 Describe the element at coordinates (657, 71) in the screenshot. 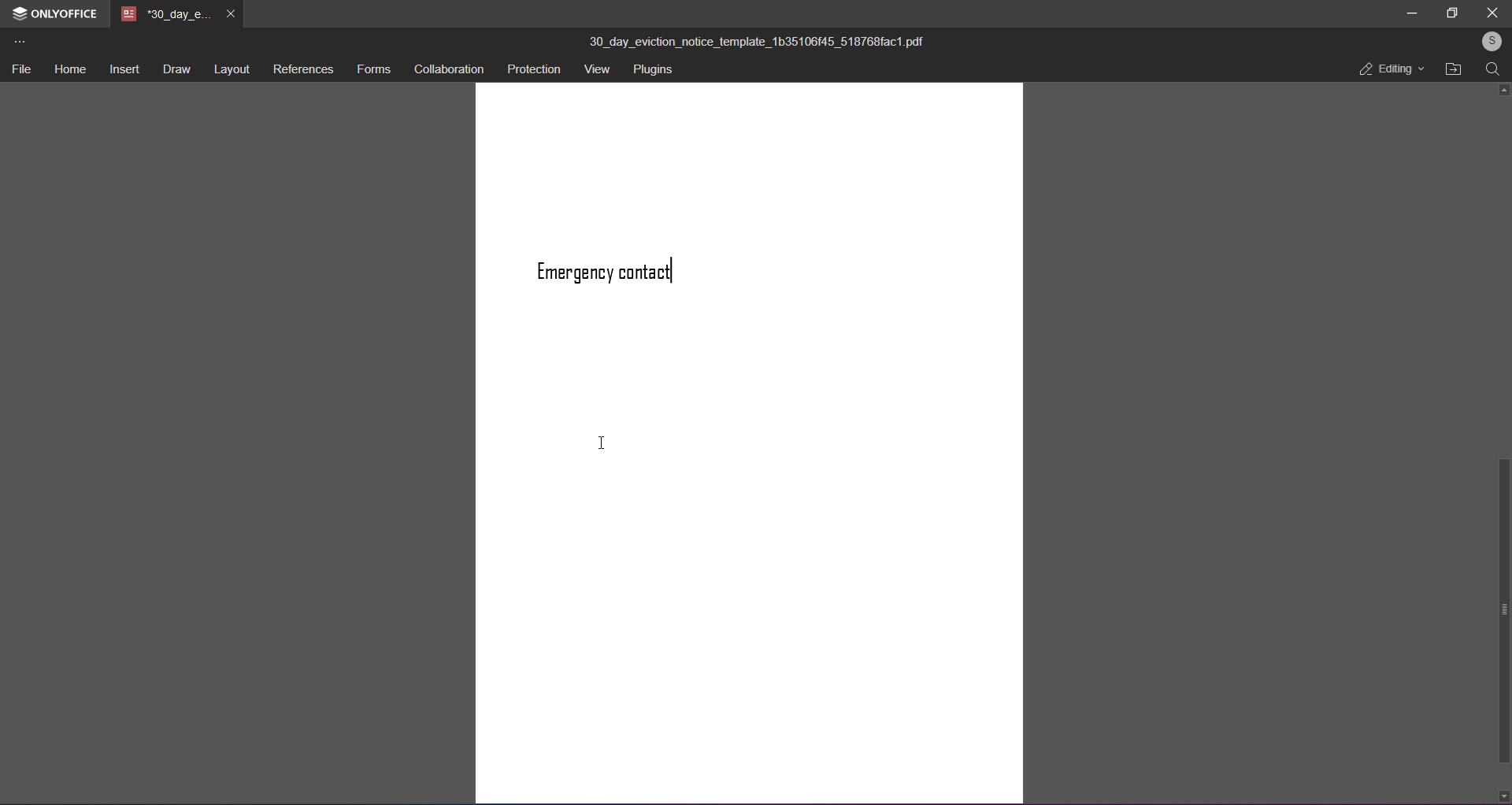

I see `plugins` at that location.